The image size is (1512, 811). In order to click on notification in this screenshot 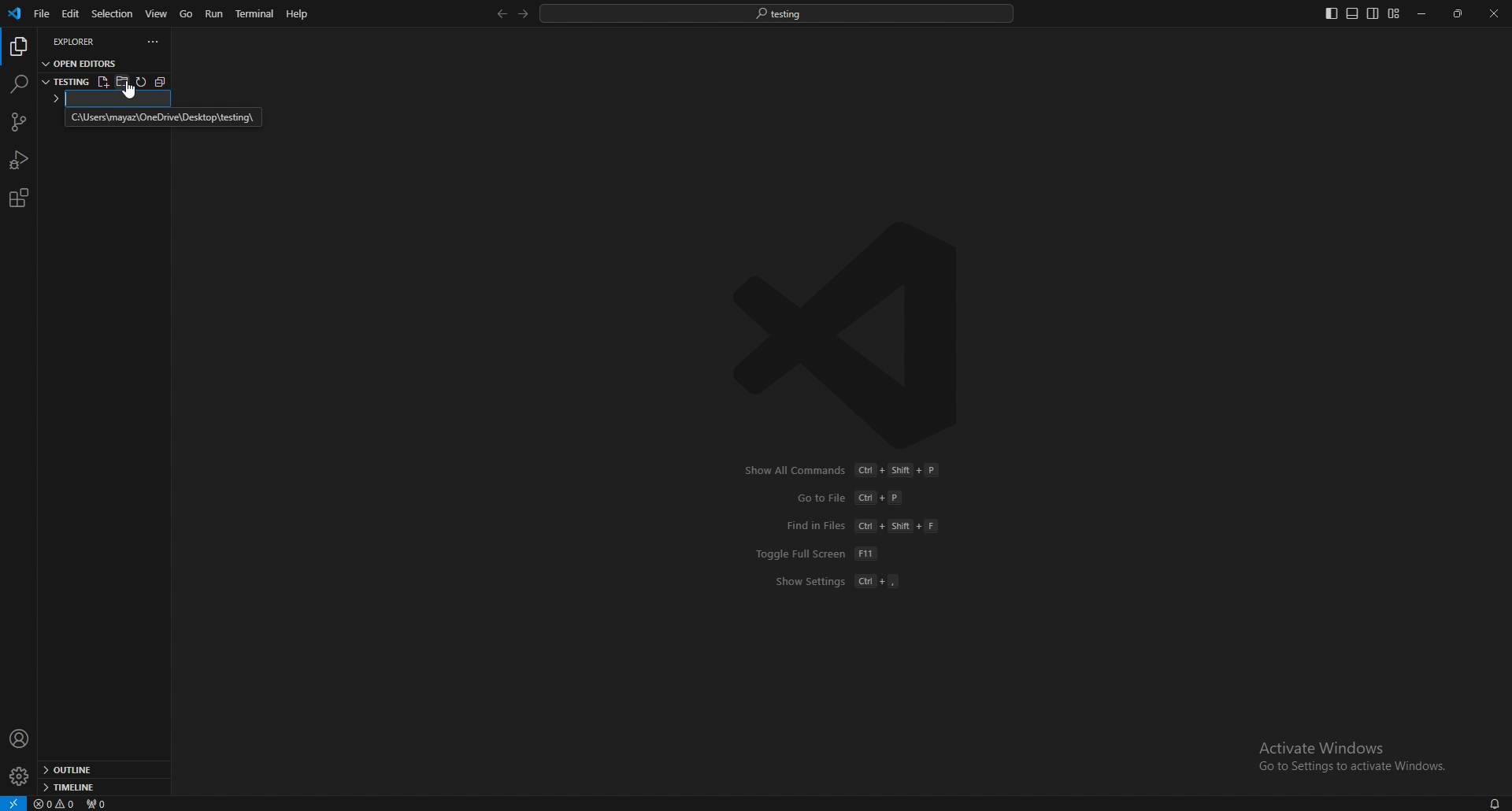, I will do `click(1493, 803)`.